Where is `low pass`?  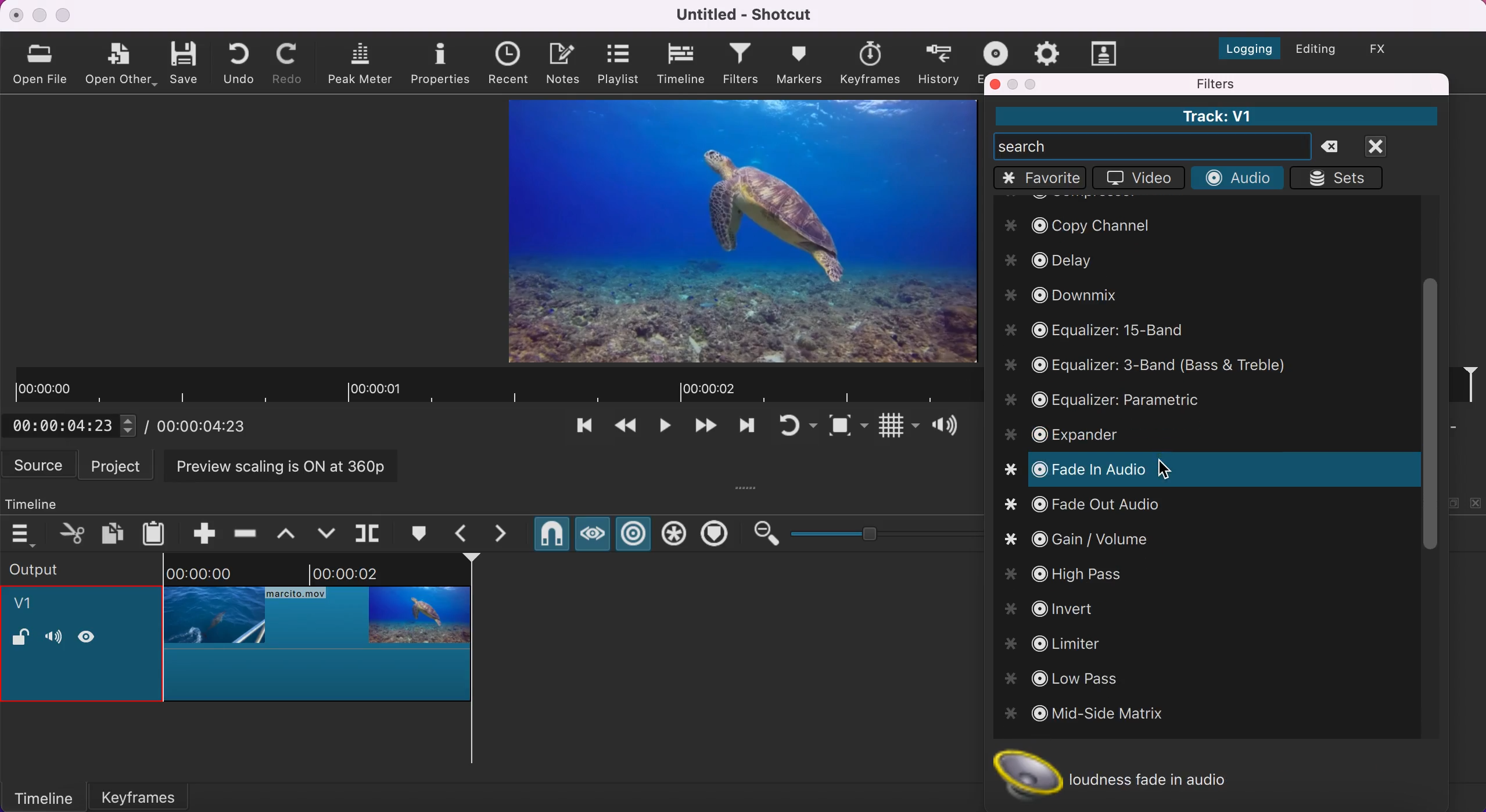
low pass is located at coordinates (1068, 679).